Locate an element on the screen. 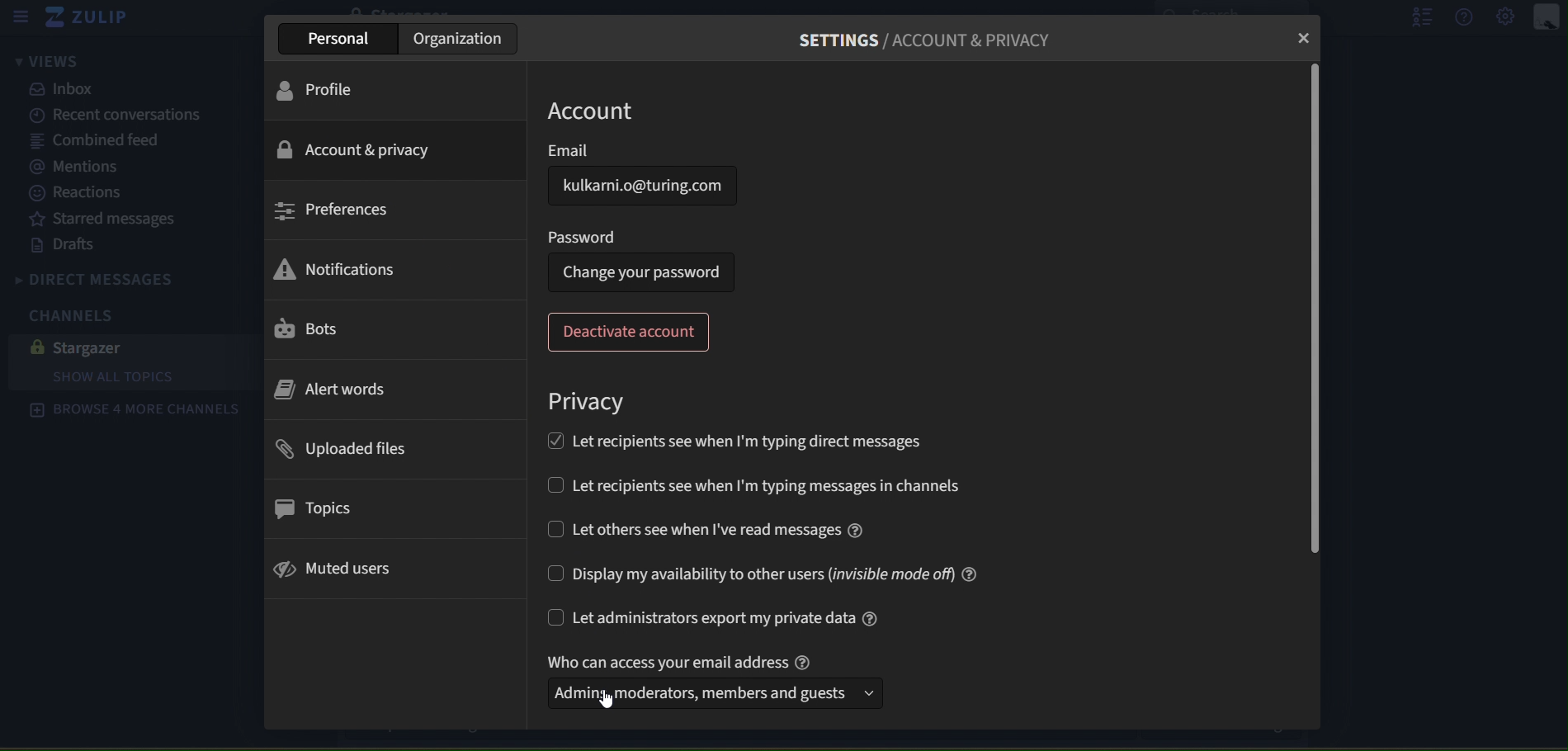  preferences is located at coordinates (333, 210).